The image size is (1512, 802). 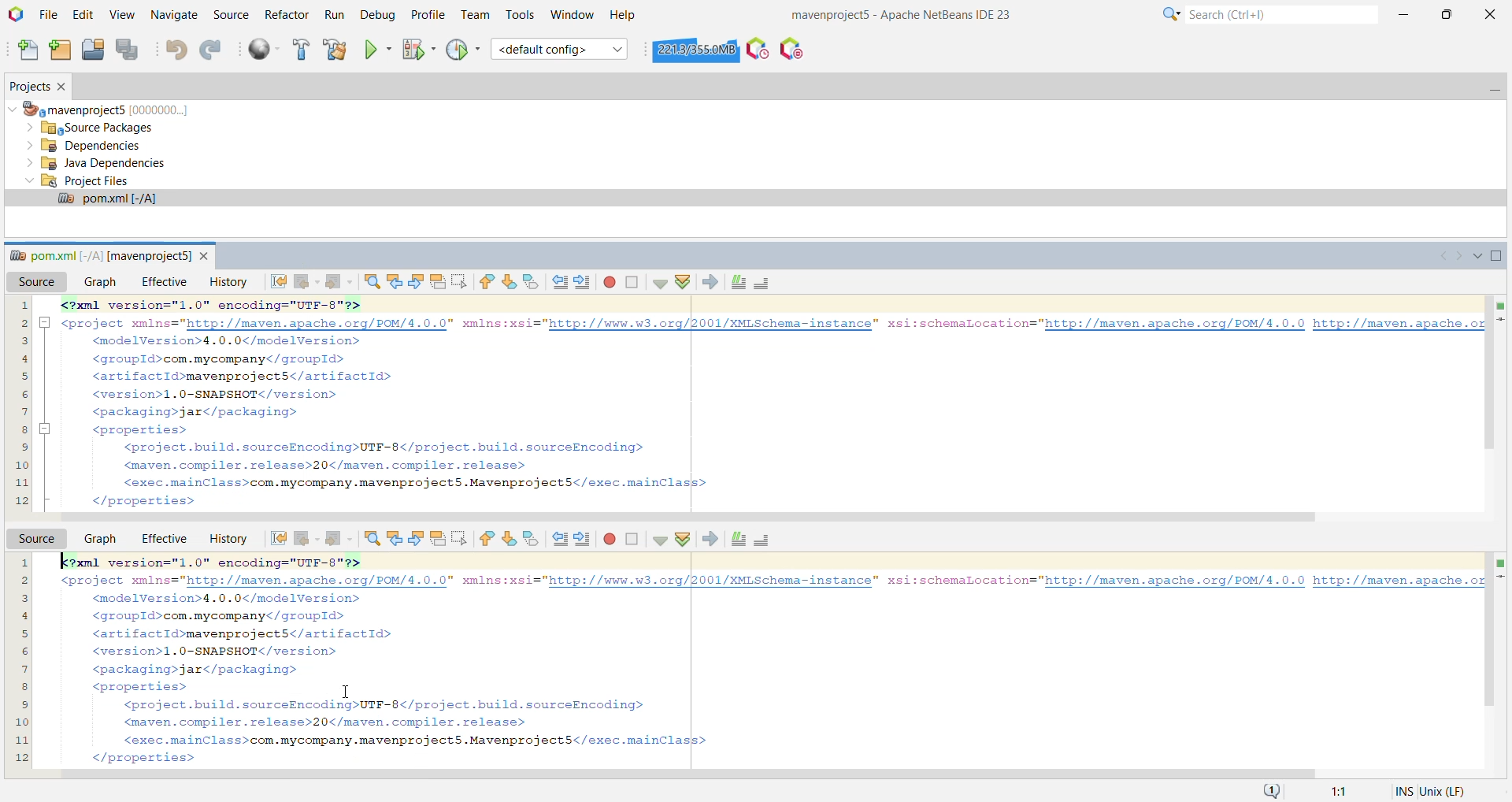 I want to click on Previous Bookmark, so click(x=485, y=540).